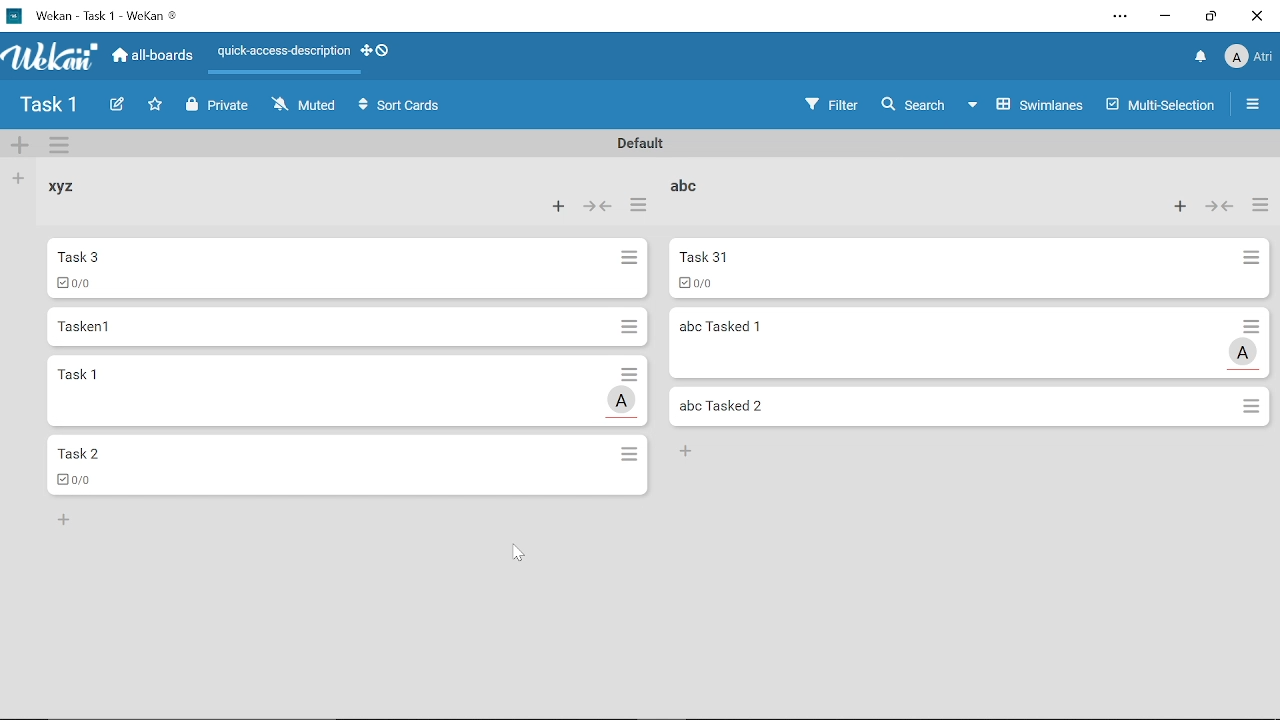  What do you see at coordinates (218, 106) in the screenshot?
I see `Private` at bounding box center [218, 106].